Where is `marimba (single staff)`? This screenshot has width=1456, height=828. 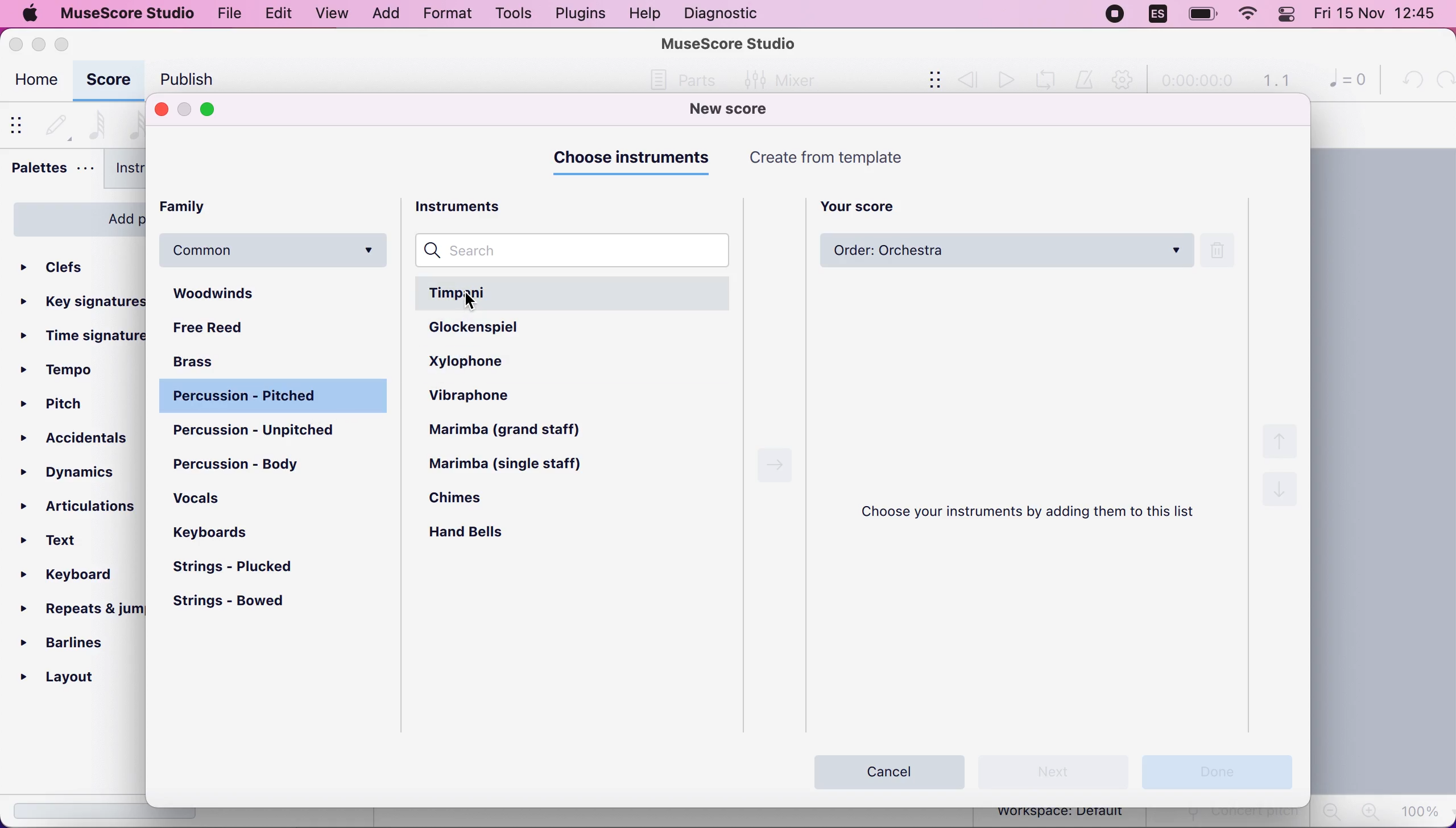 marimba (single staff) is located at coordinates (519, 465).